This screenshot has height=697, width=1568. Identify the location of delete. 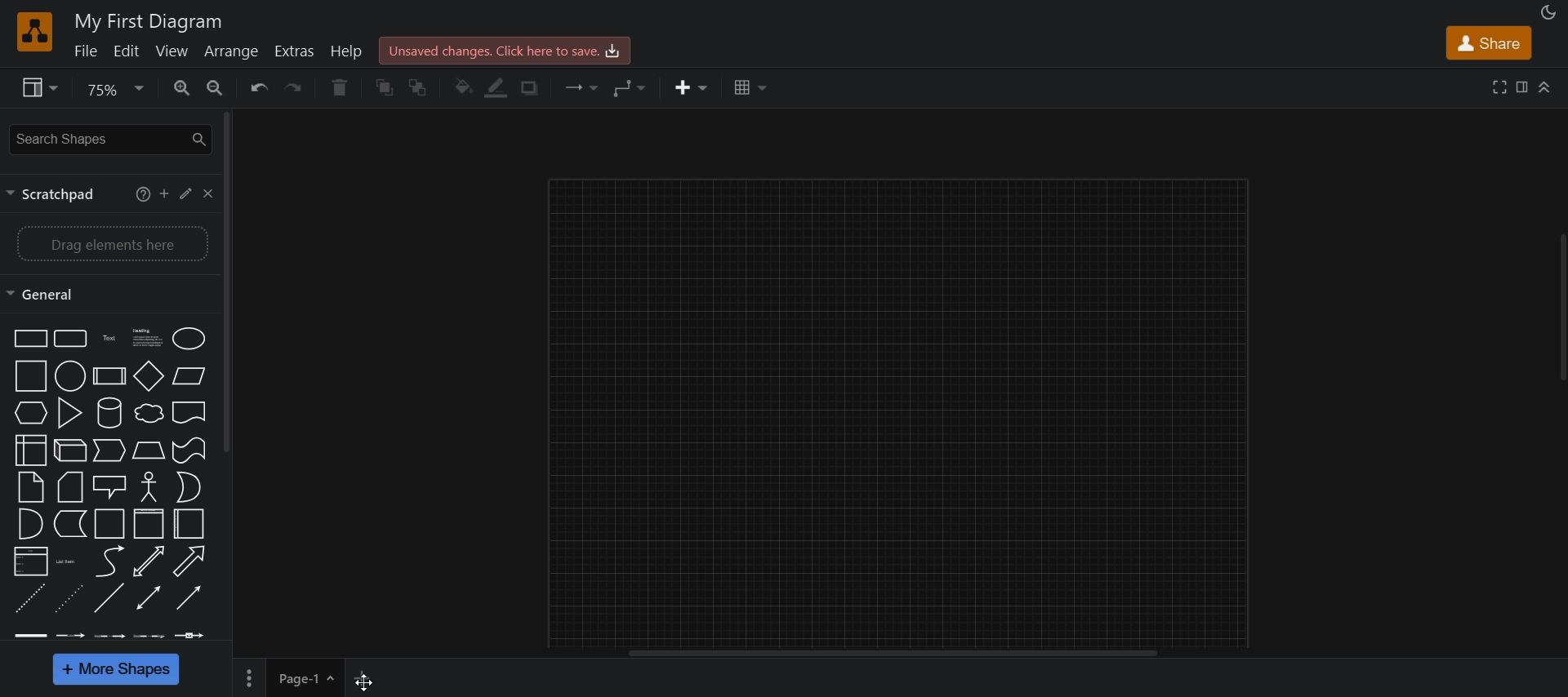
(341, 88).